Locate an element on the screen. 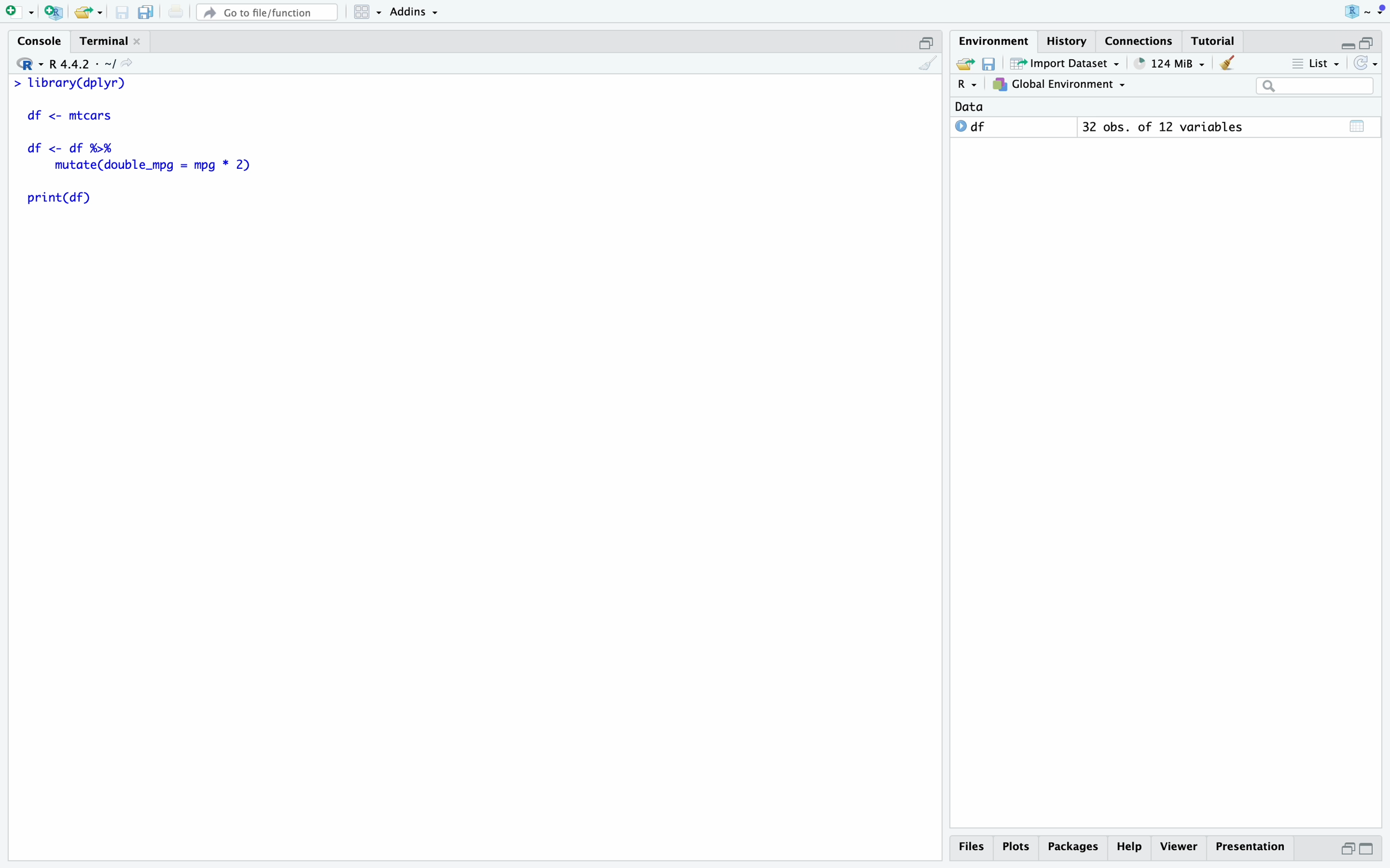 This screenshot has height=868, width=1390. history is located at coordinates (1069, 41).